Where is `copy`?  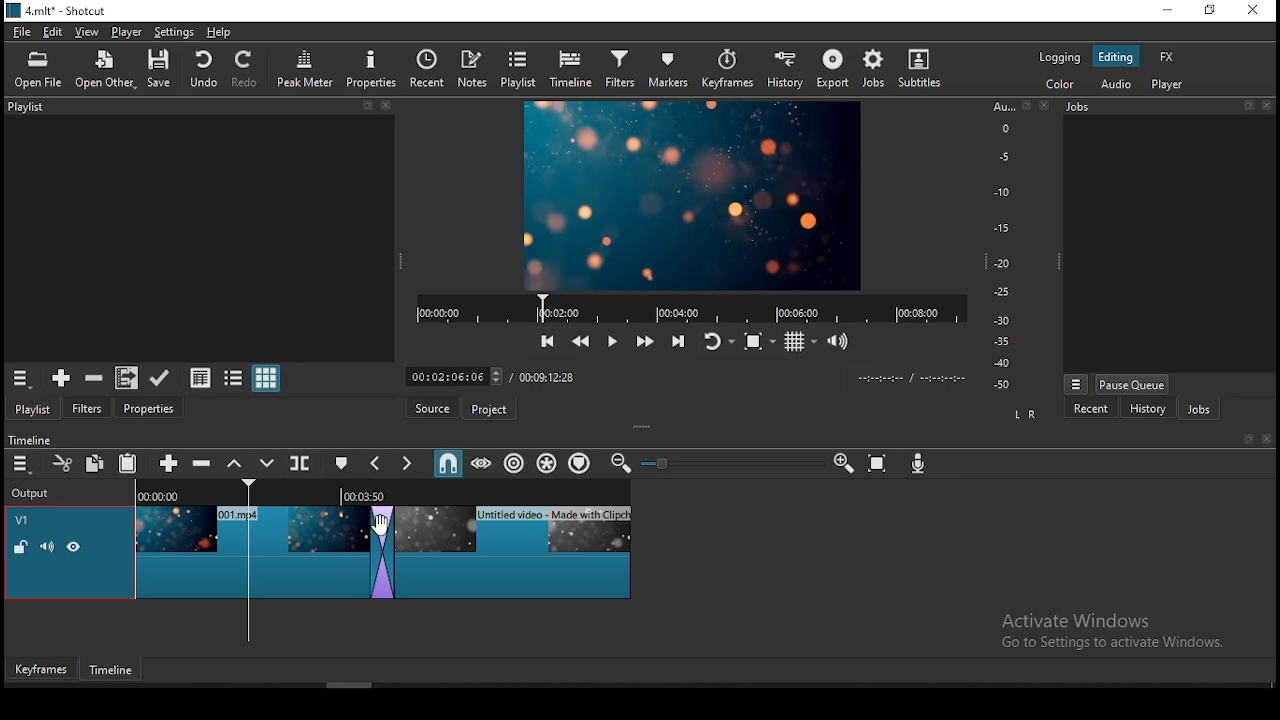 copy is located at coordinates (95, 464).